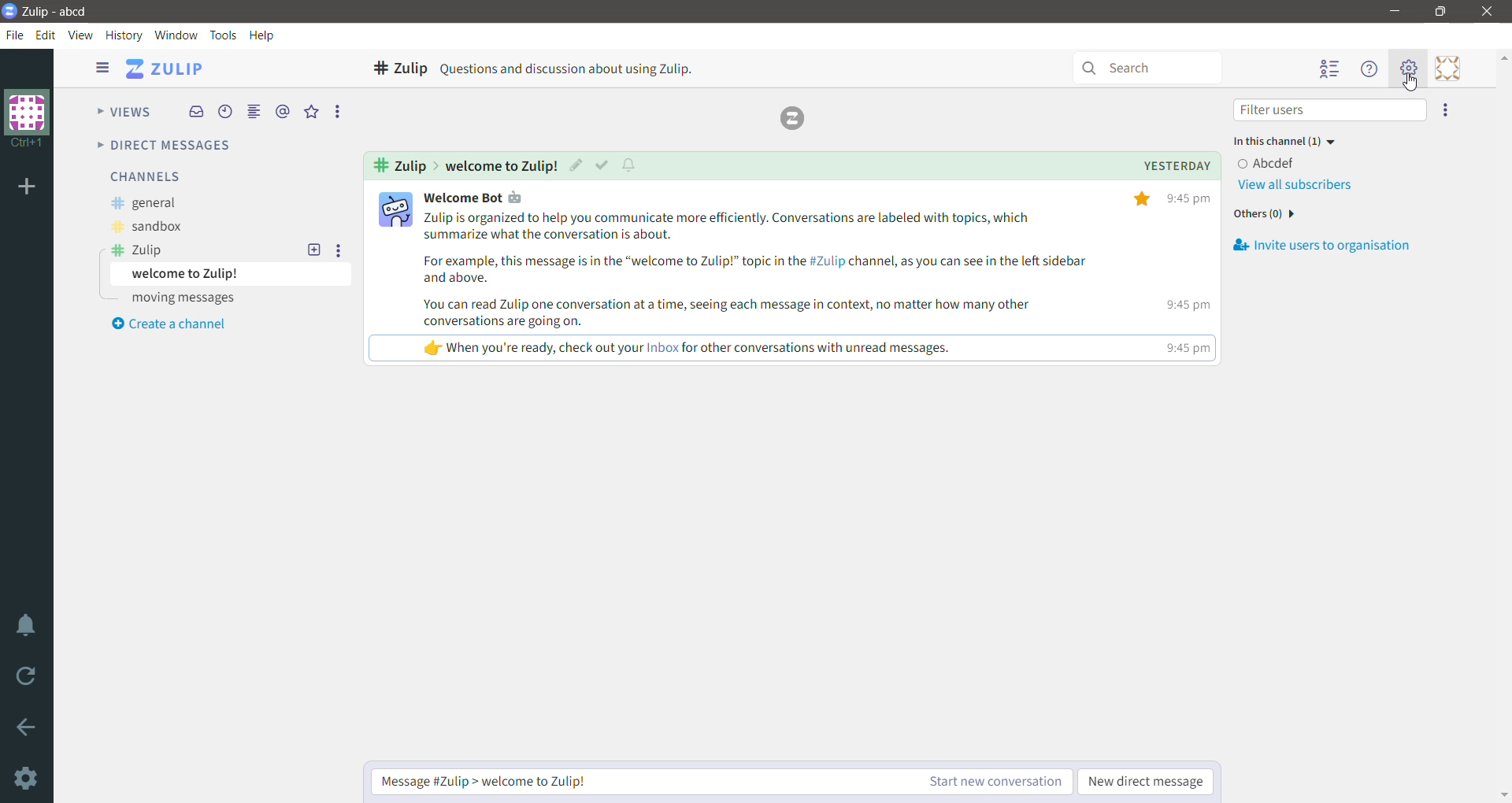  Describe the element at coordinates (1487, 12) in the screenshot. I see `Close` at that location.